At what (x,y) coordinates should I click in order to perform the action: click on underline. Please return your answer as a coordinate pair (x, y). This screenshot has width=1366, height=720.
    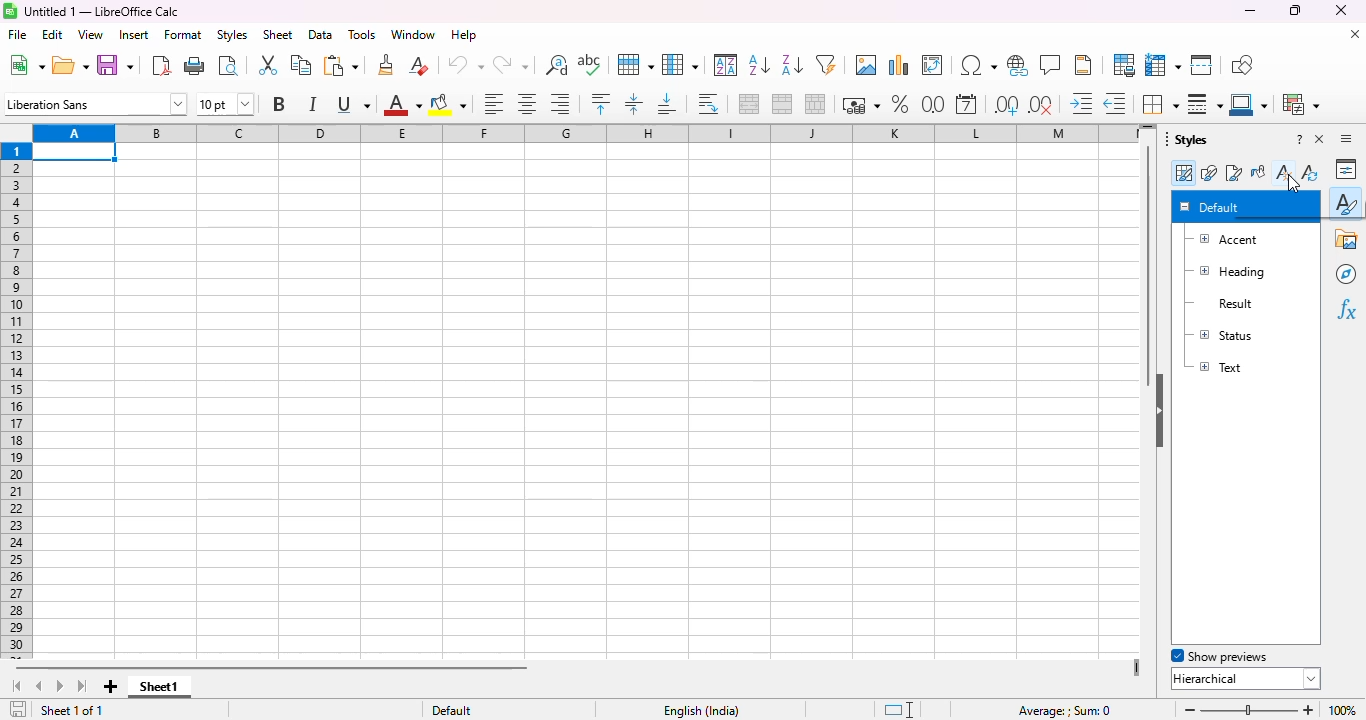
    Looking at the image, I should click on (353, 105).